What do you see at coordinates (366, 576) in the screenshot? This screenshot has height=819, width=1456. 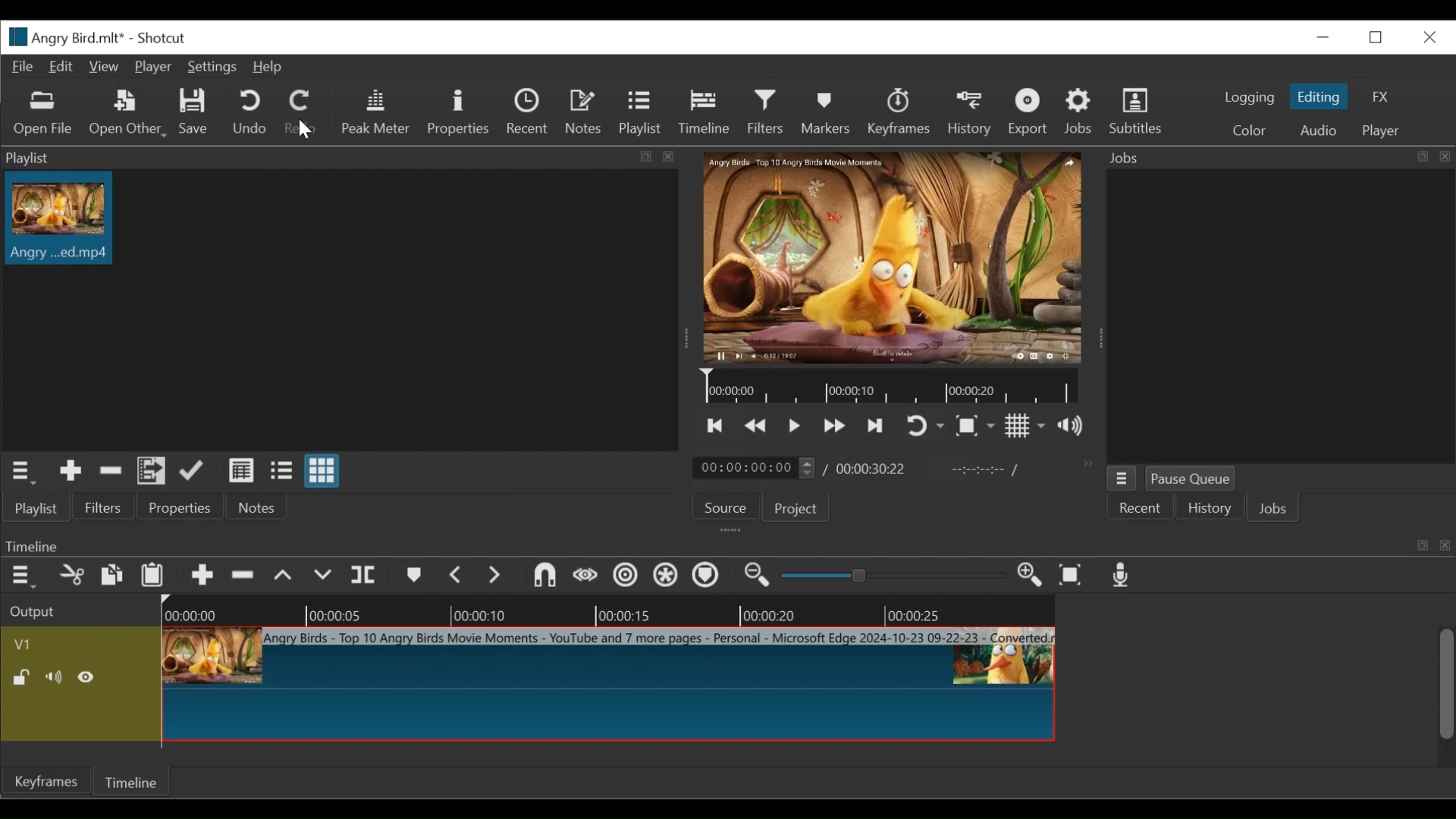 I see `Split playhead` at bounding box center [366, 576].